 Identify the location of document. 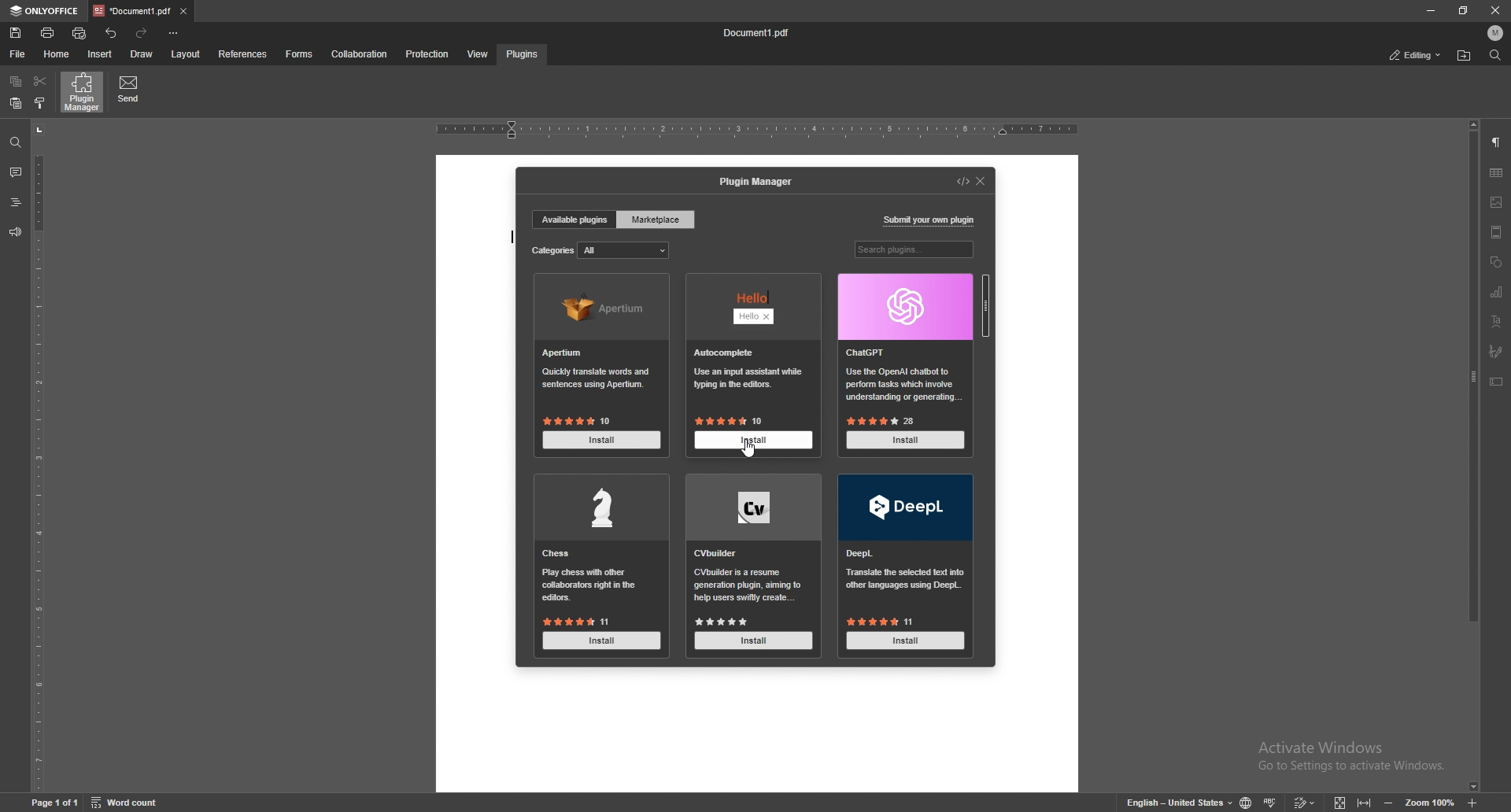
(799, 731).